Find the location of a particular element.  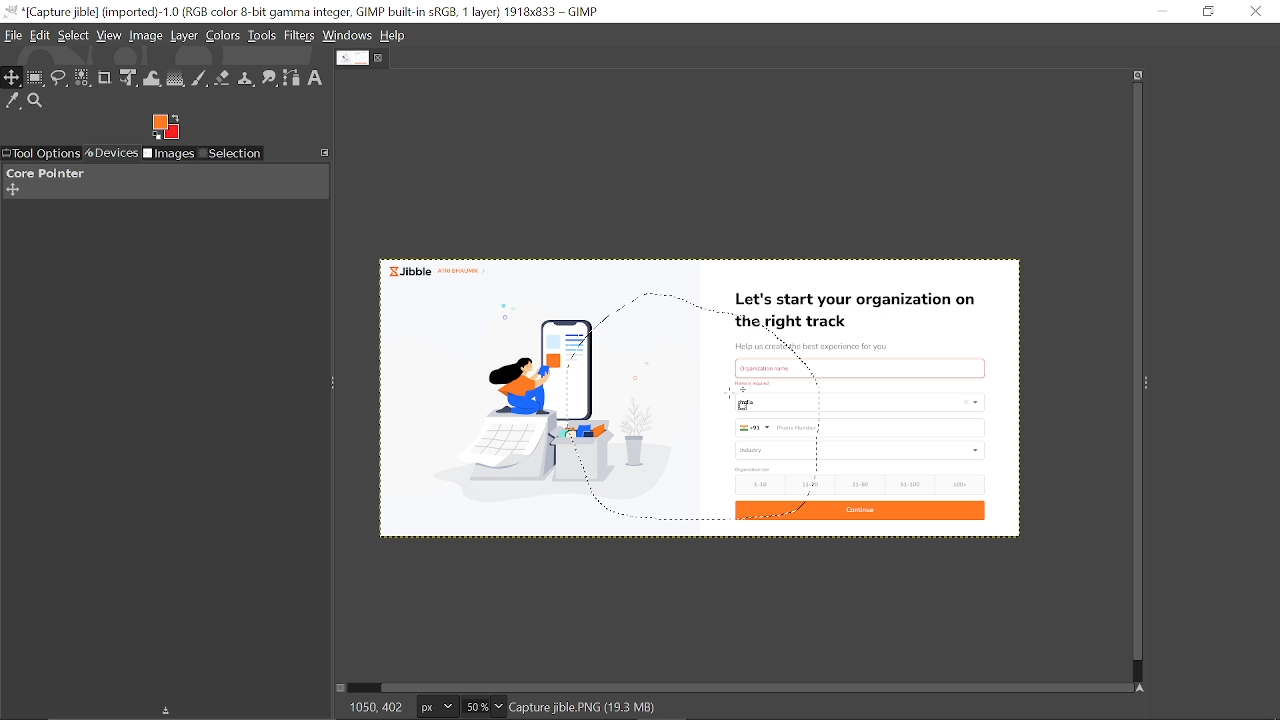

country is located at coordinates (871, 402).